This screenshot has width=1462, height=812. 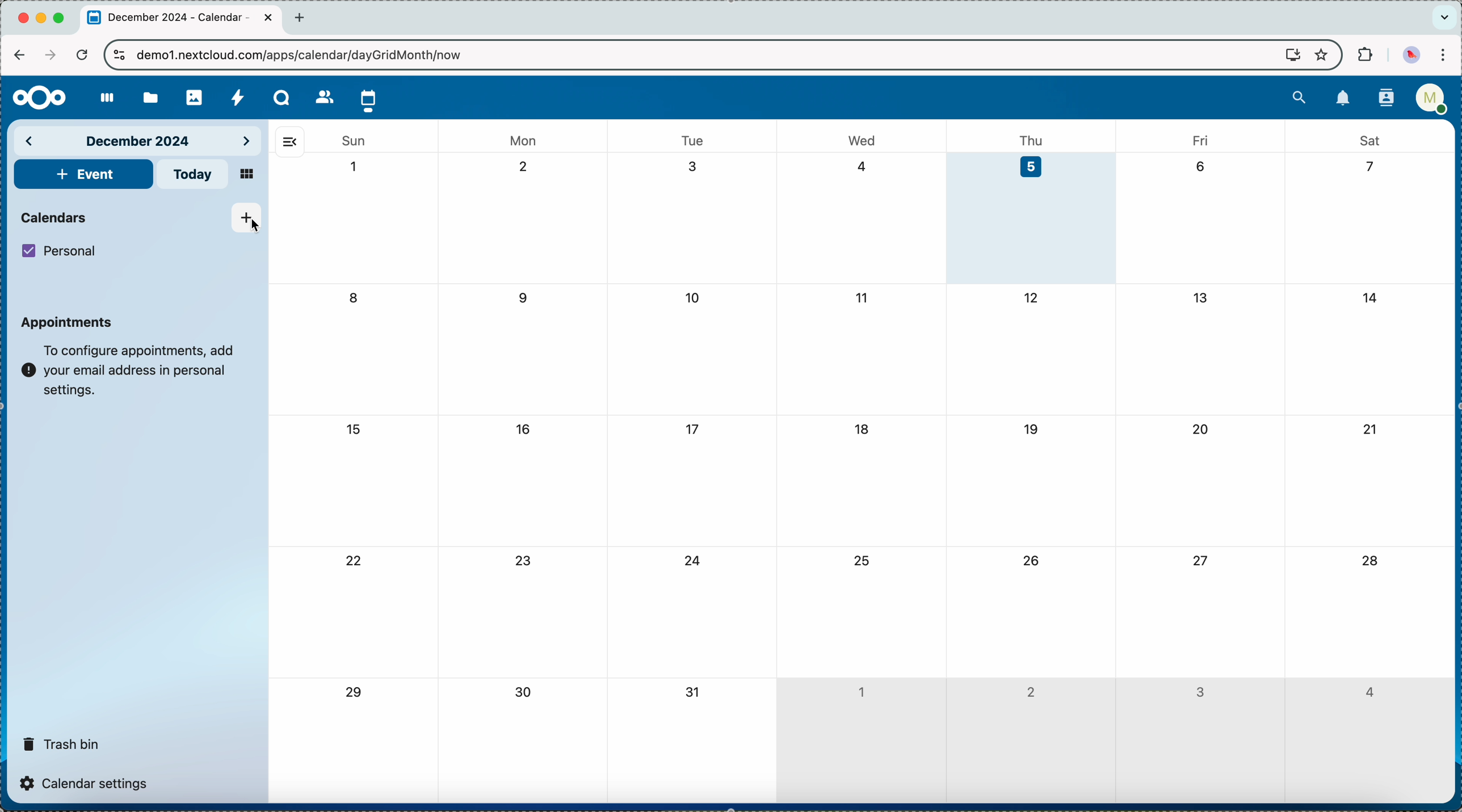 What do you see at coordinates (61, 251) in the screenshot?
I see `personal` at bounding box center [61, 251].